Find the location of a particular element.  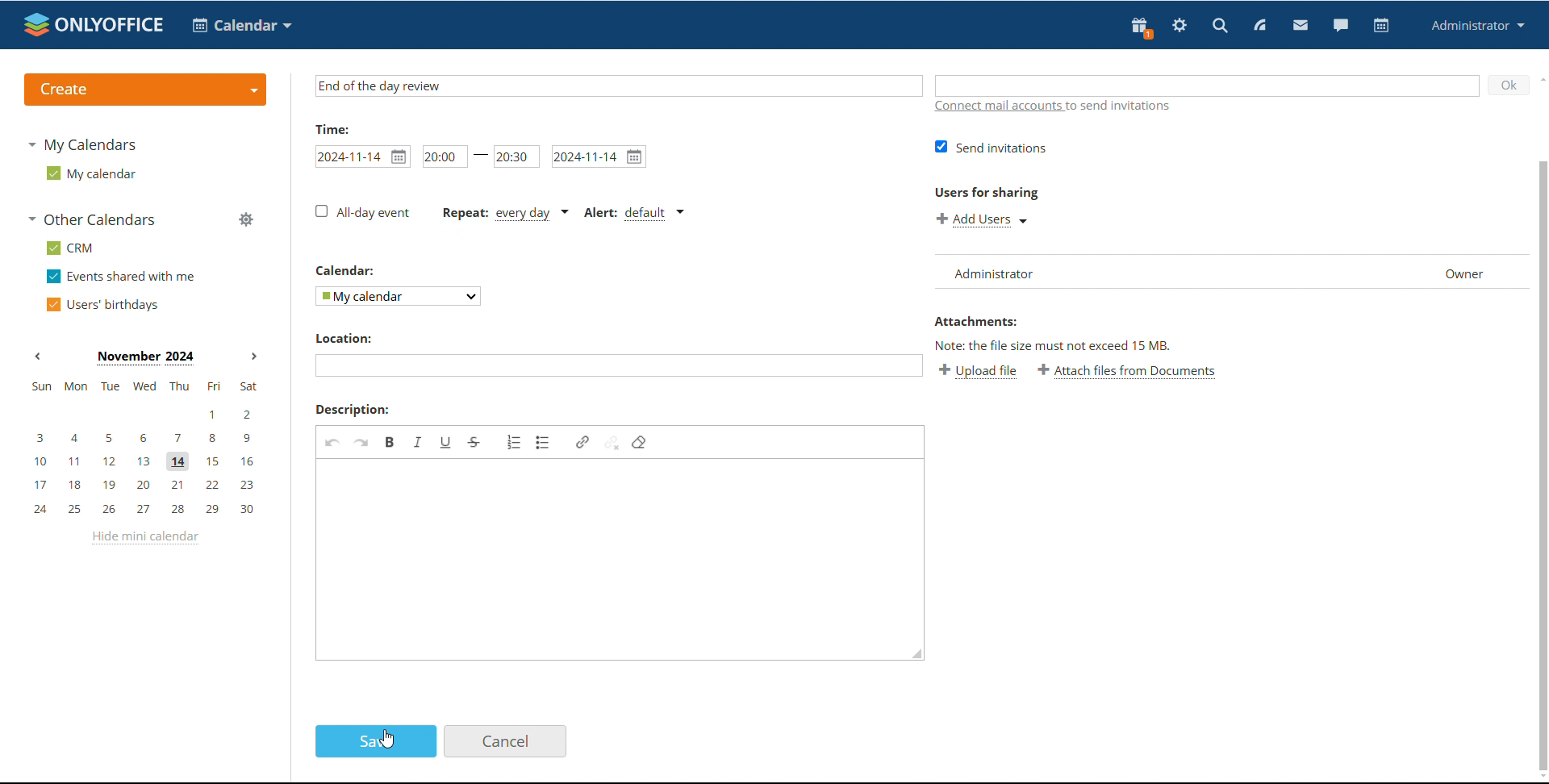

17, 18, 19, 20, 21, 22, 23 is located at coordinates (148, 485).